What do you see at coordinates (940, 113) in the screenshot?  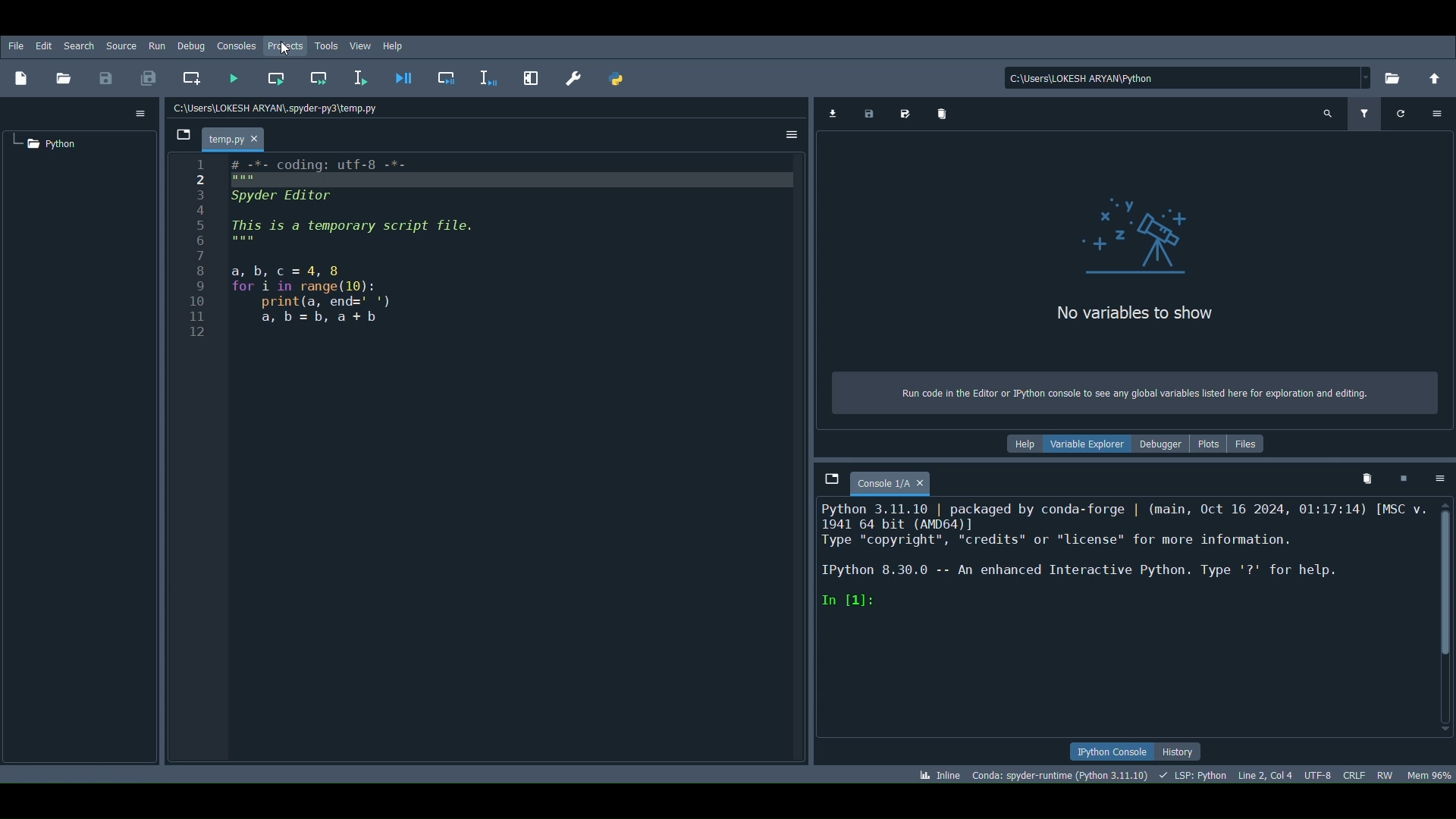 I see `Remove all variables` at bounding box center [940, 113].